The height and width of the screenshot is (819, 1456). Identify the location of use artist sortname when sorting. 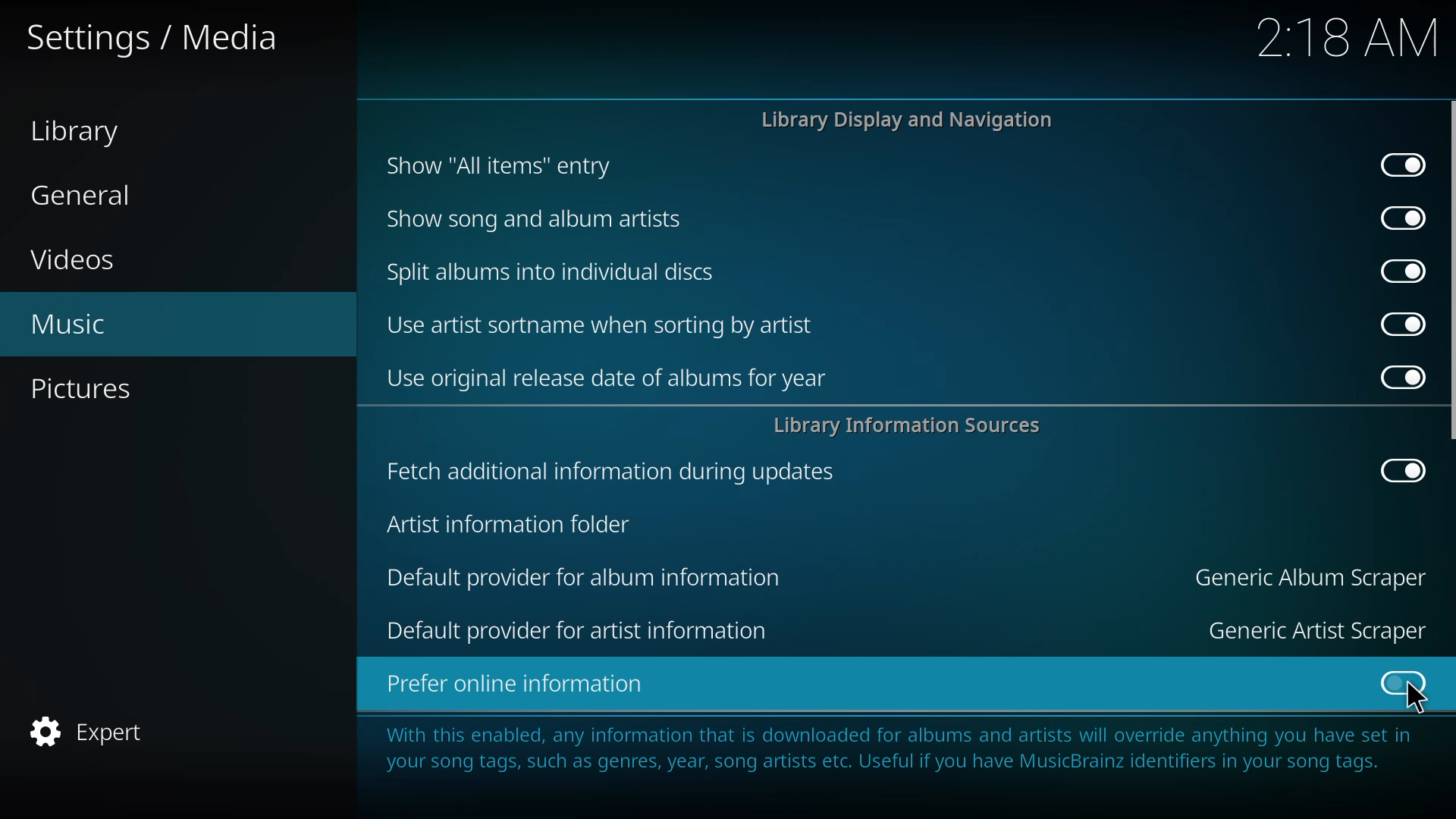
(602, 324).